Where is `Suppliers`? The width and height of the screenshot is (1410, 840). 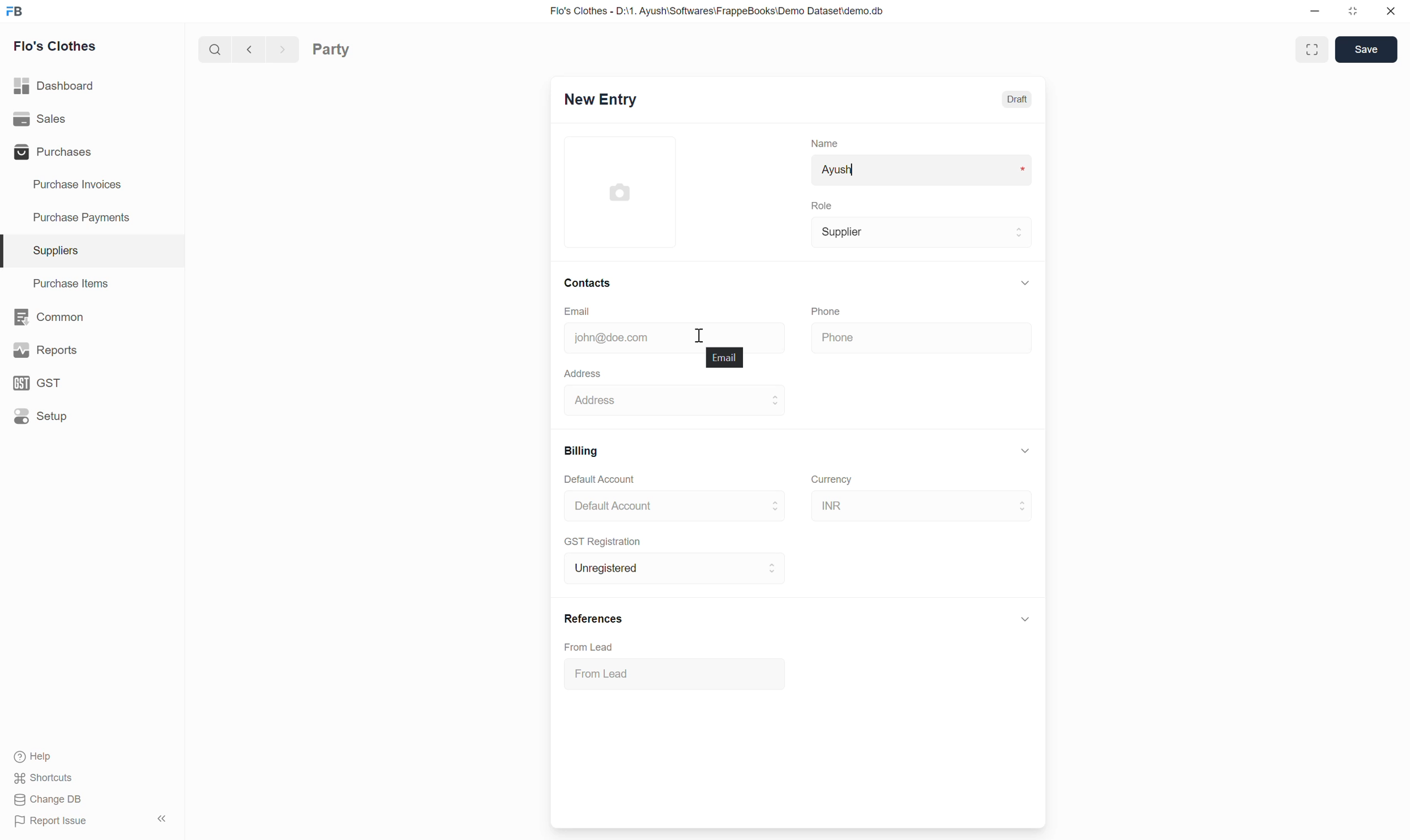
Suppliers is located at coordinates (92, 251).